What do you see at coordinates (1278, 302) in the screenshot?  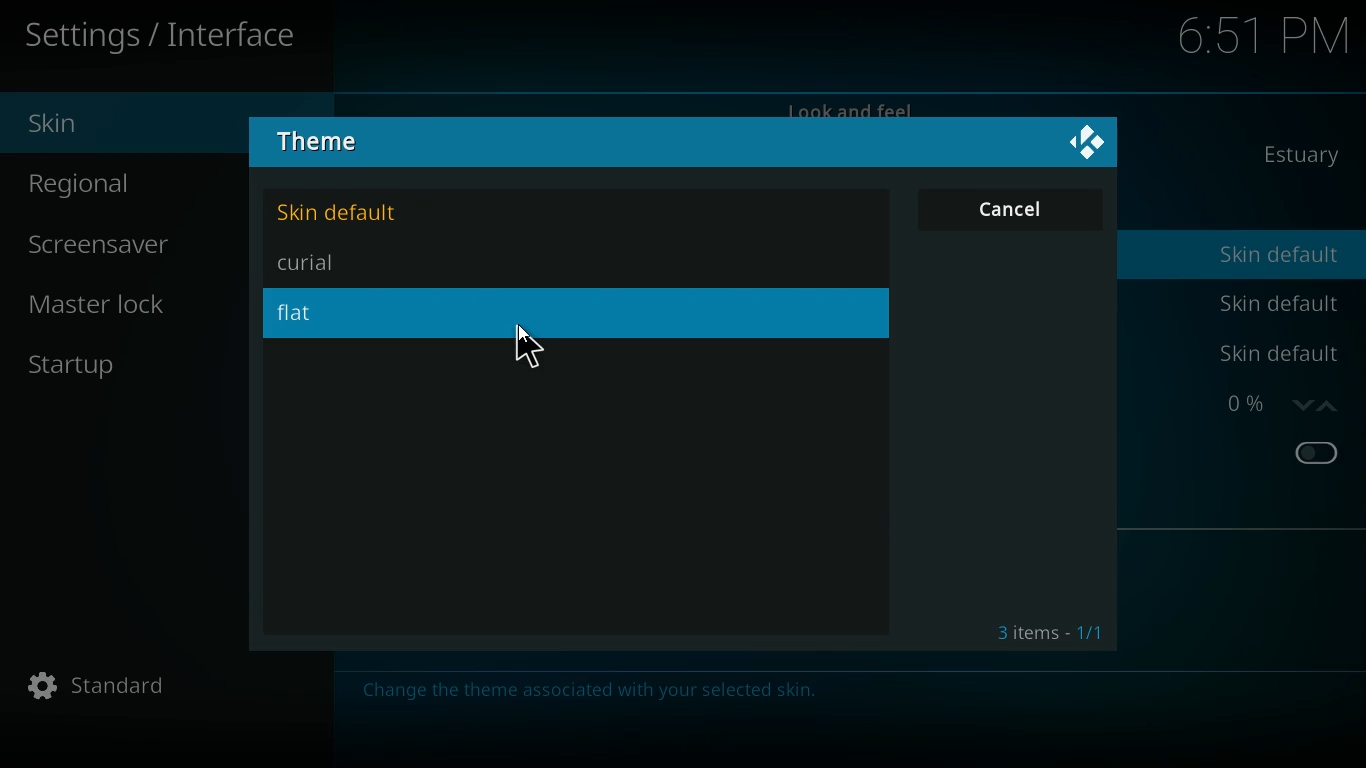 I see `skin default` at bounding box center [1278, 302].